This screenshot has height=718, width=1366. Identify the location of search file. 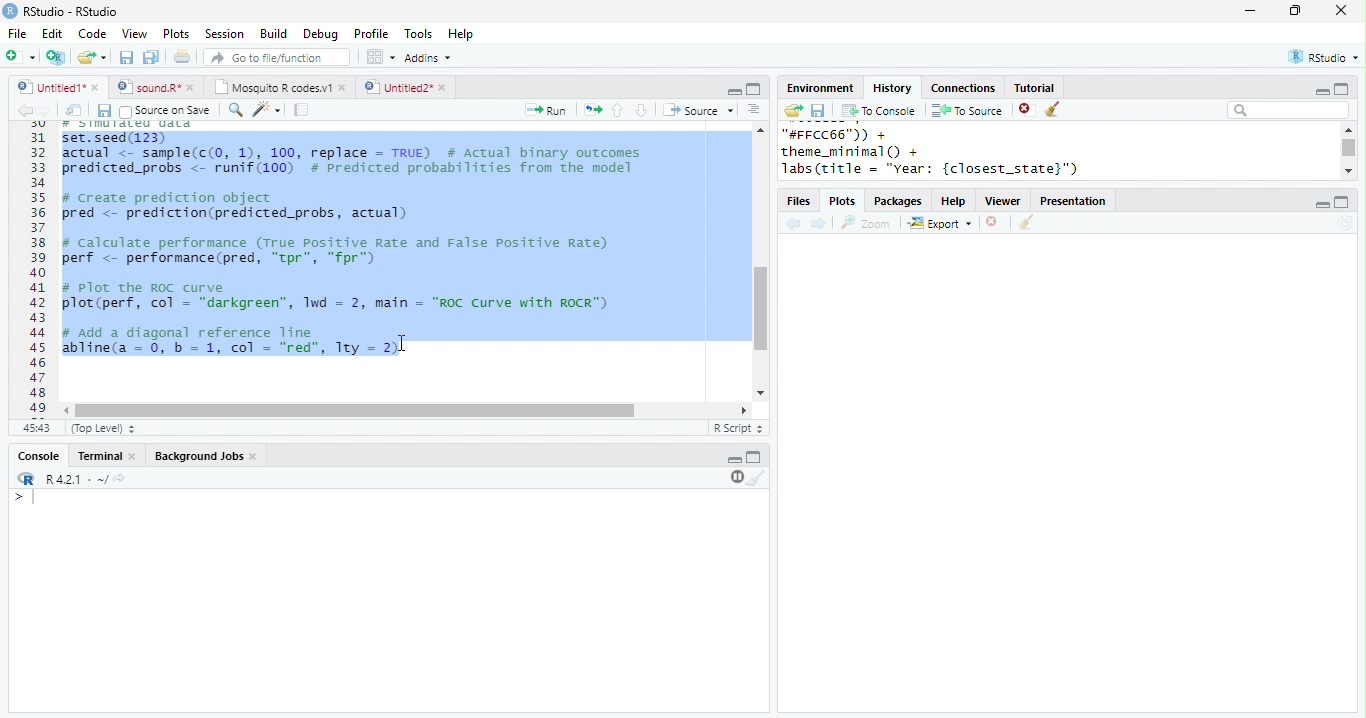
(278, 57).